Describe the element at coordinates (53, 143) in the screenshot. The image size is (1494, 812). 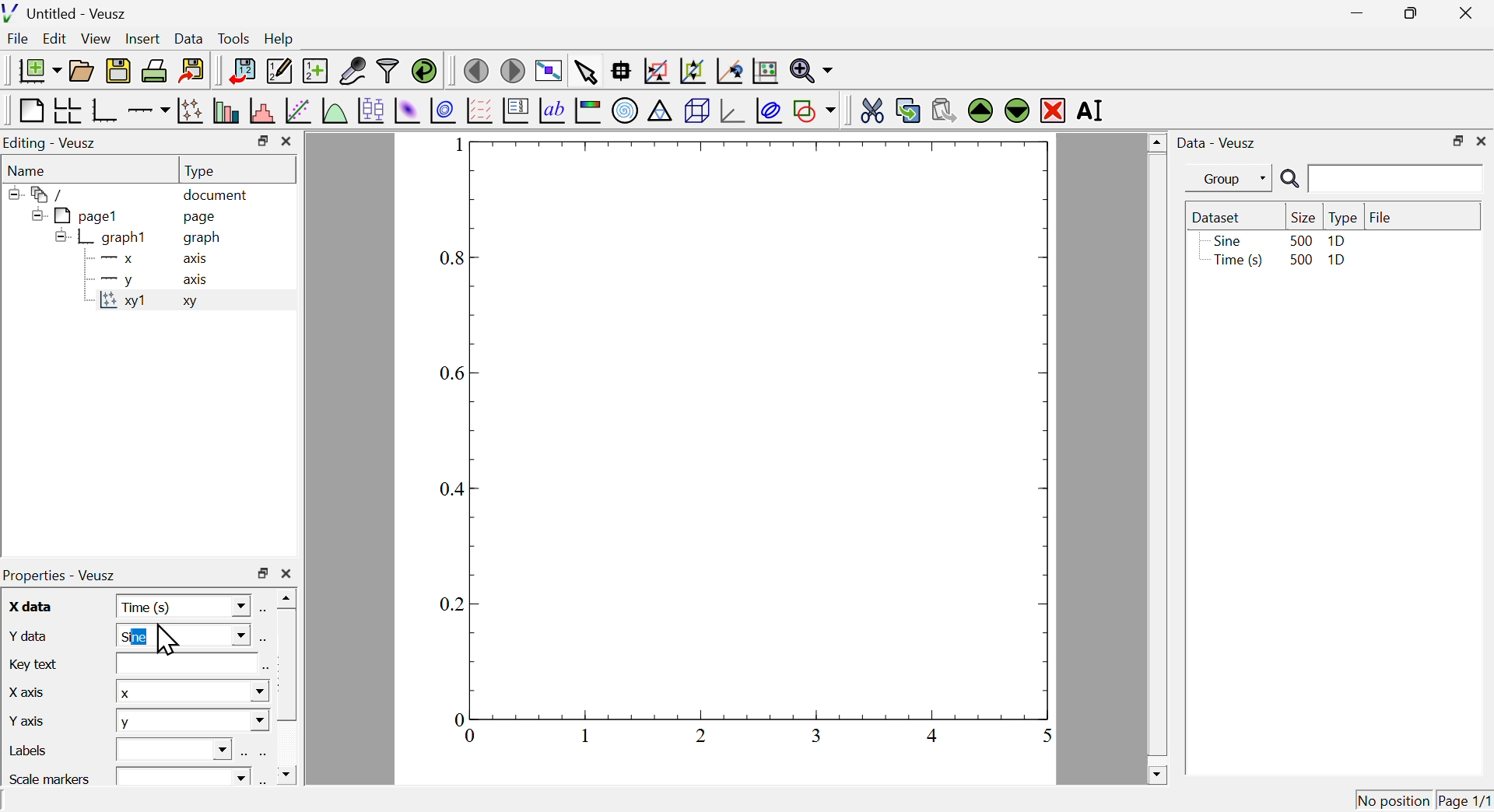
I see `Editing Veusz` at that location.